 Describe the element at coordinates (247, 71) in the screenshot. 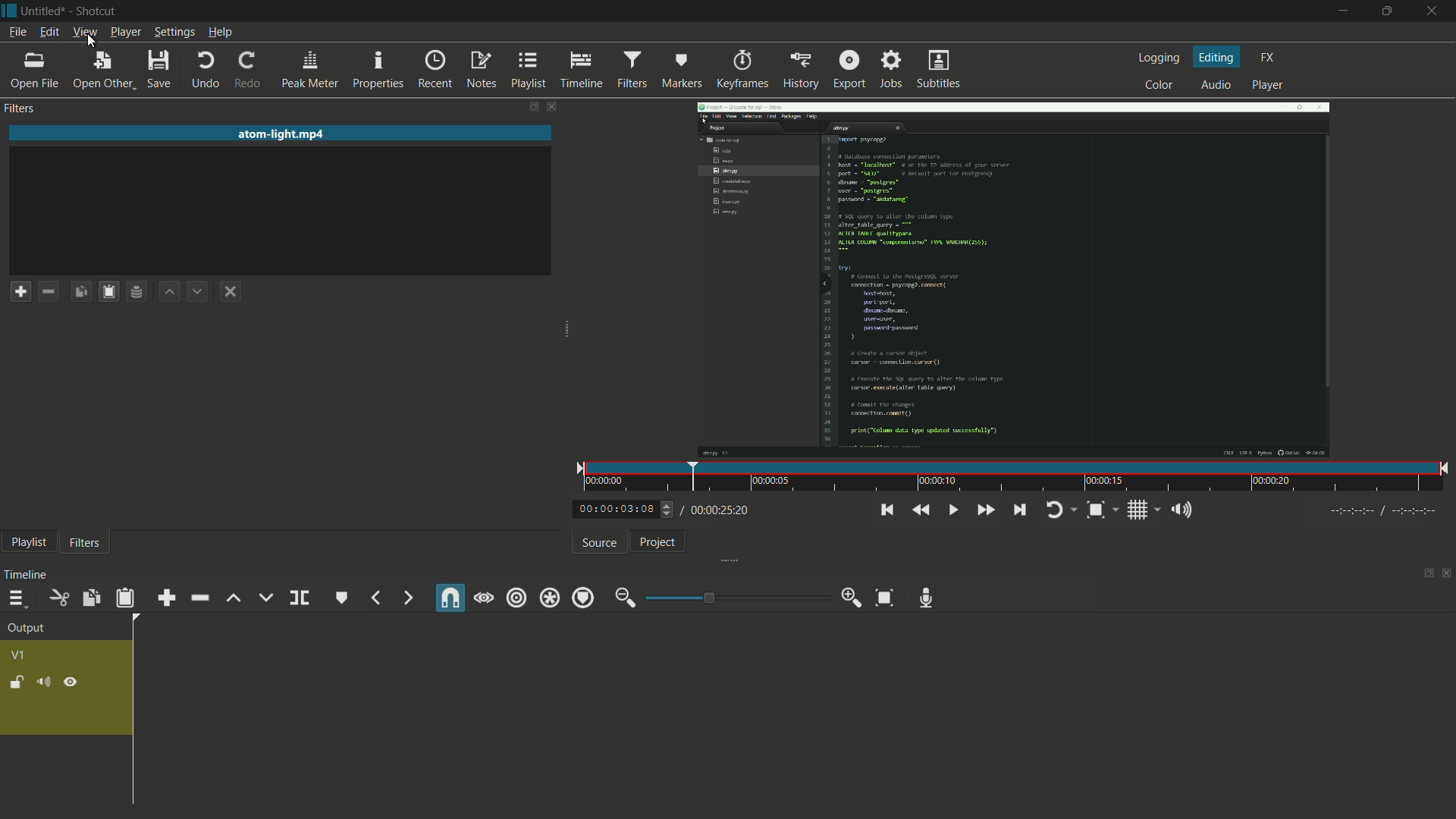

I see `redo` at that location.